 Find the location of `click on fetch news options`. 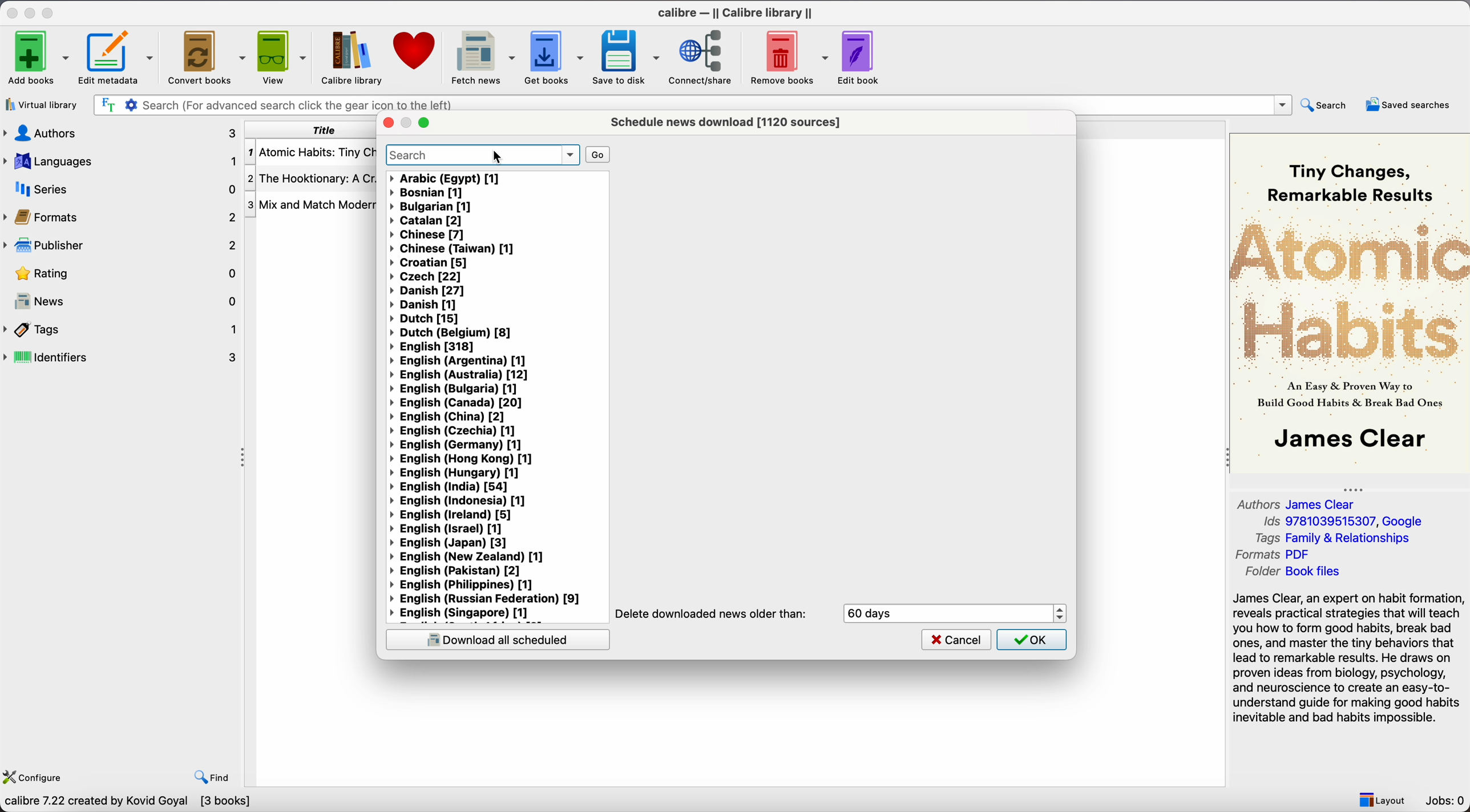

click on fetch news options is located at coordinates (481, 56).